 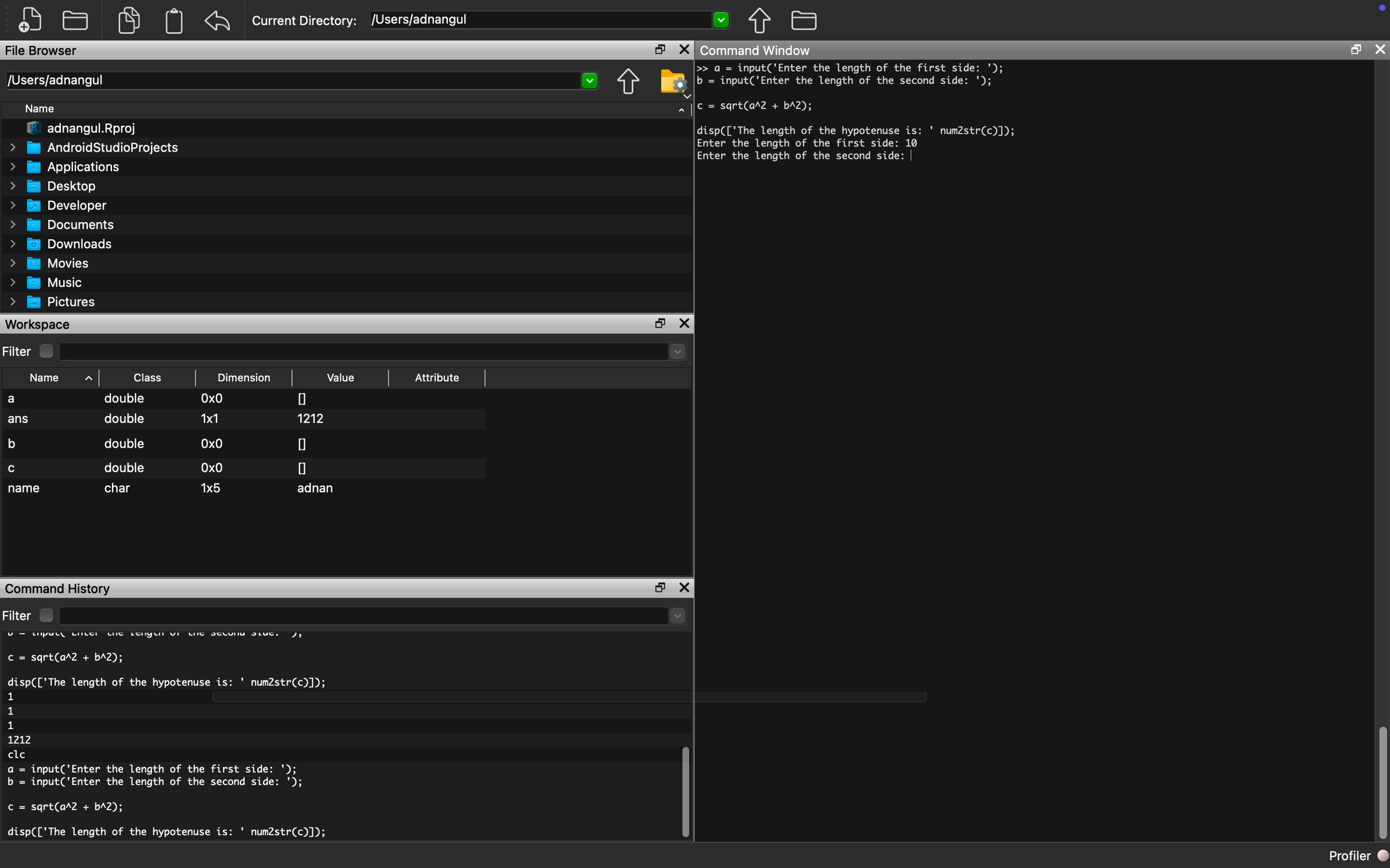 I want to click on vertical scroll bar, so click(x=1382, y=784).